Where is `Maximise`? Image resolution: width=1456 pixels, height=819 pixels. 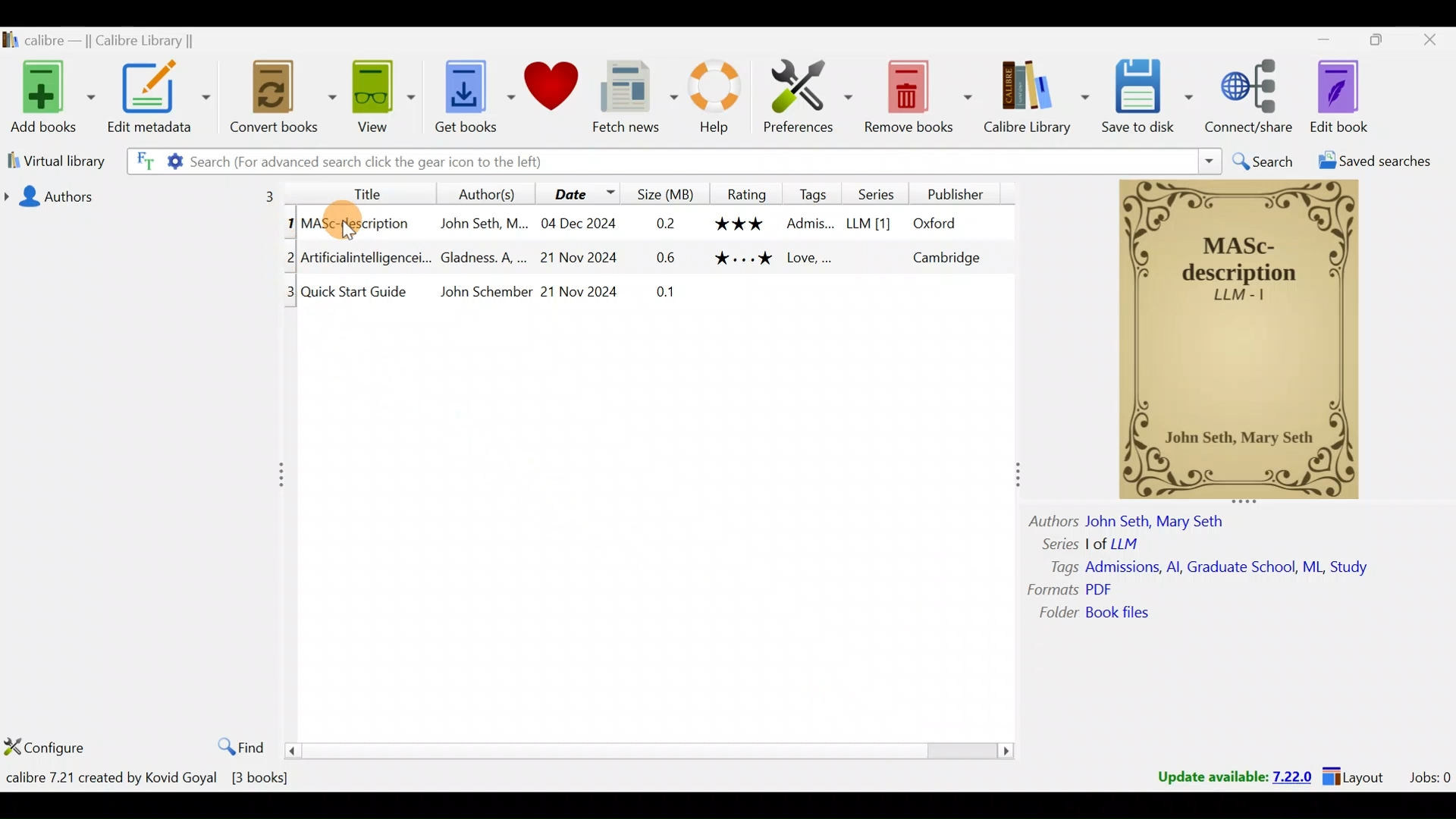
Maximise is located at coordinates (1379, 40).